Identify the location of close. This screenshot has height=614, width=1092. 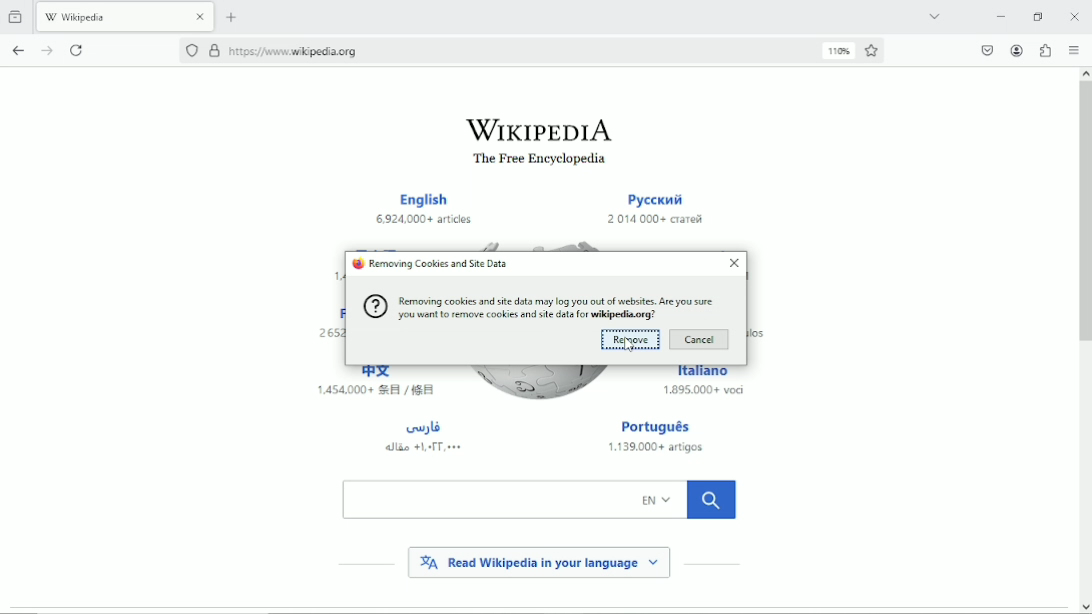
(735, 263).